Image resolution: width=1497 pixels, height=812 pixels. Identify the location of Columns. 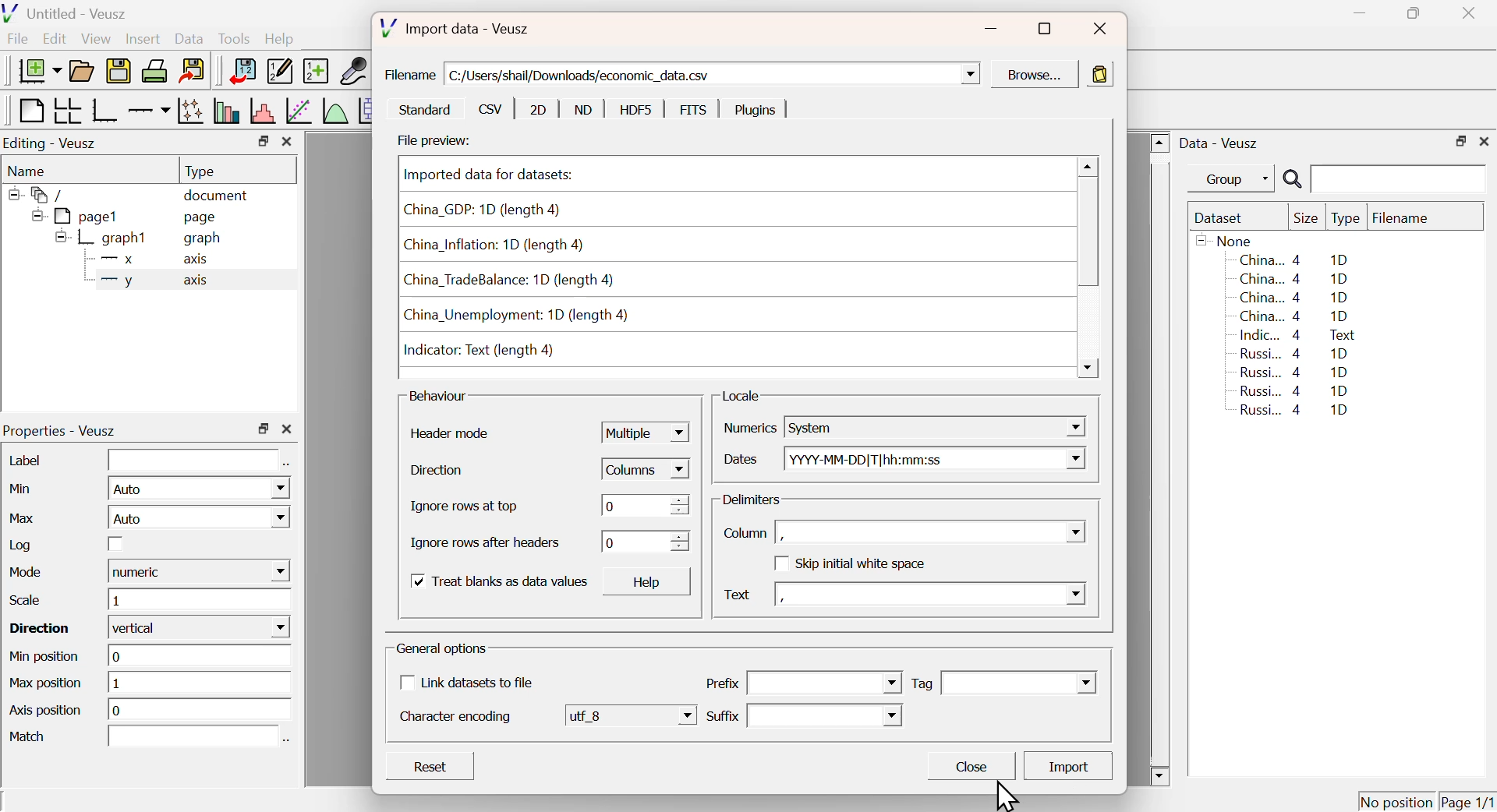
(645, 469).